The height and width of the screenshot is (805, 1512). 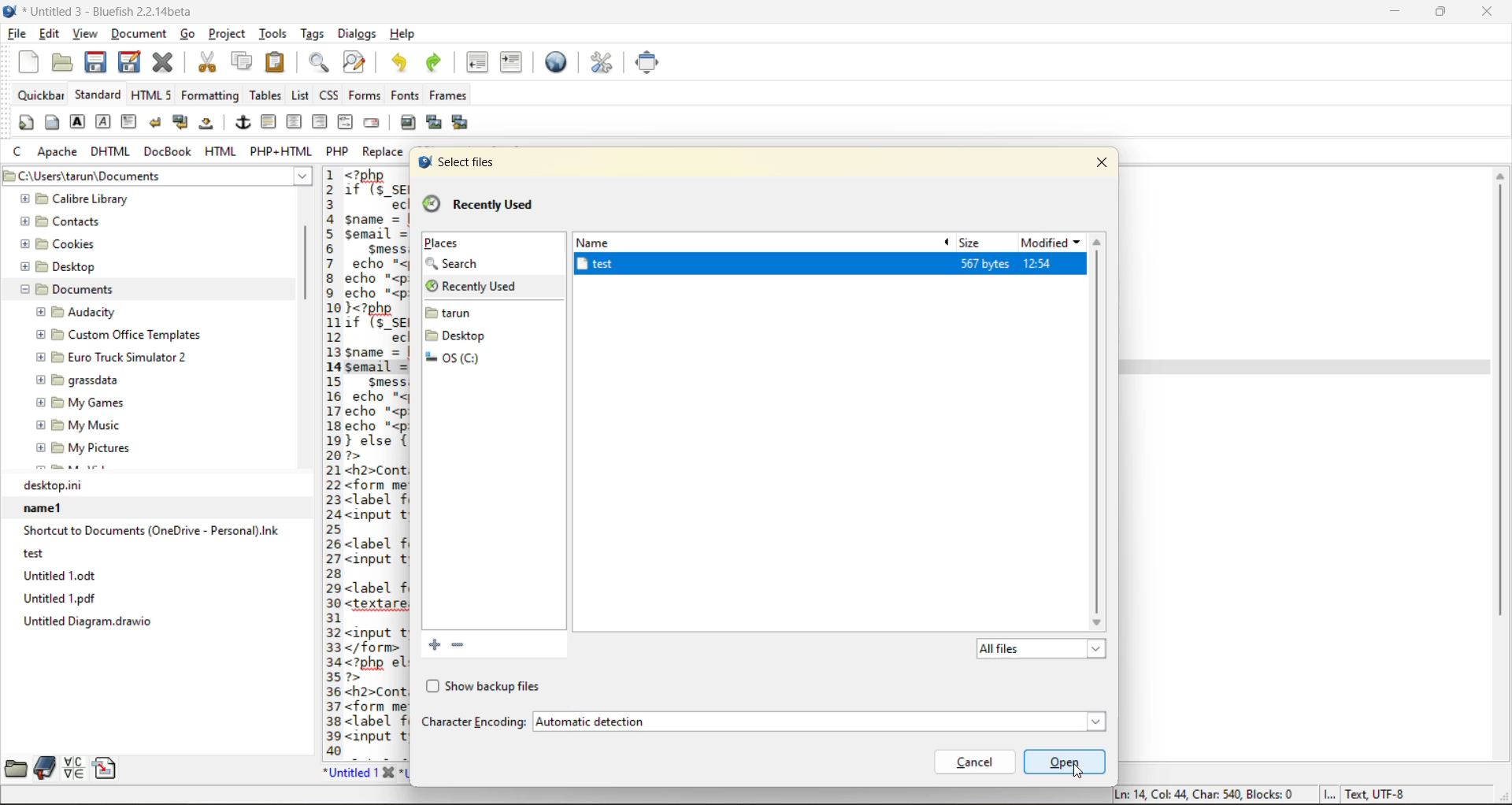 What do you see at coordinates (24, 62) in the screenshot?
I see `new` at bounding box center [24, 62].